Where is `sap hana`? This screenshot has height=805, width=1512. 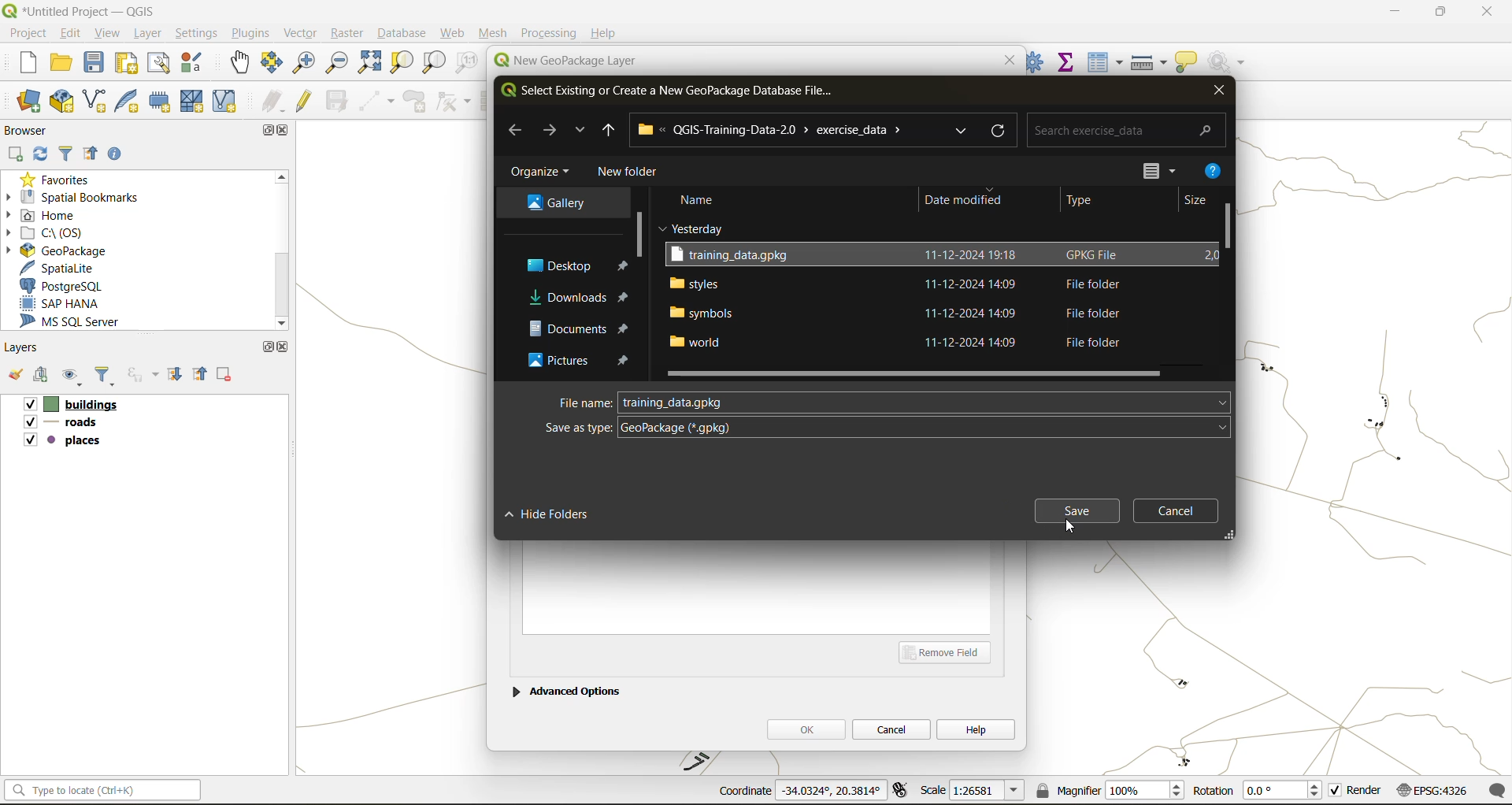
sap hana is located at coordinates (74, 304).